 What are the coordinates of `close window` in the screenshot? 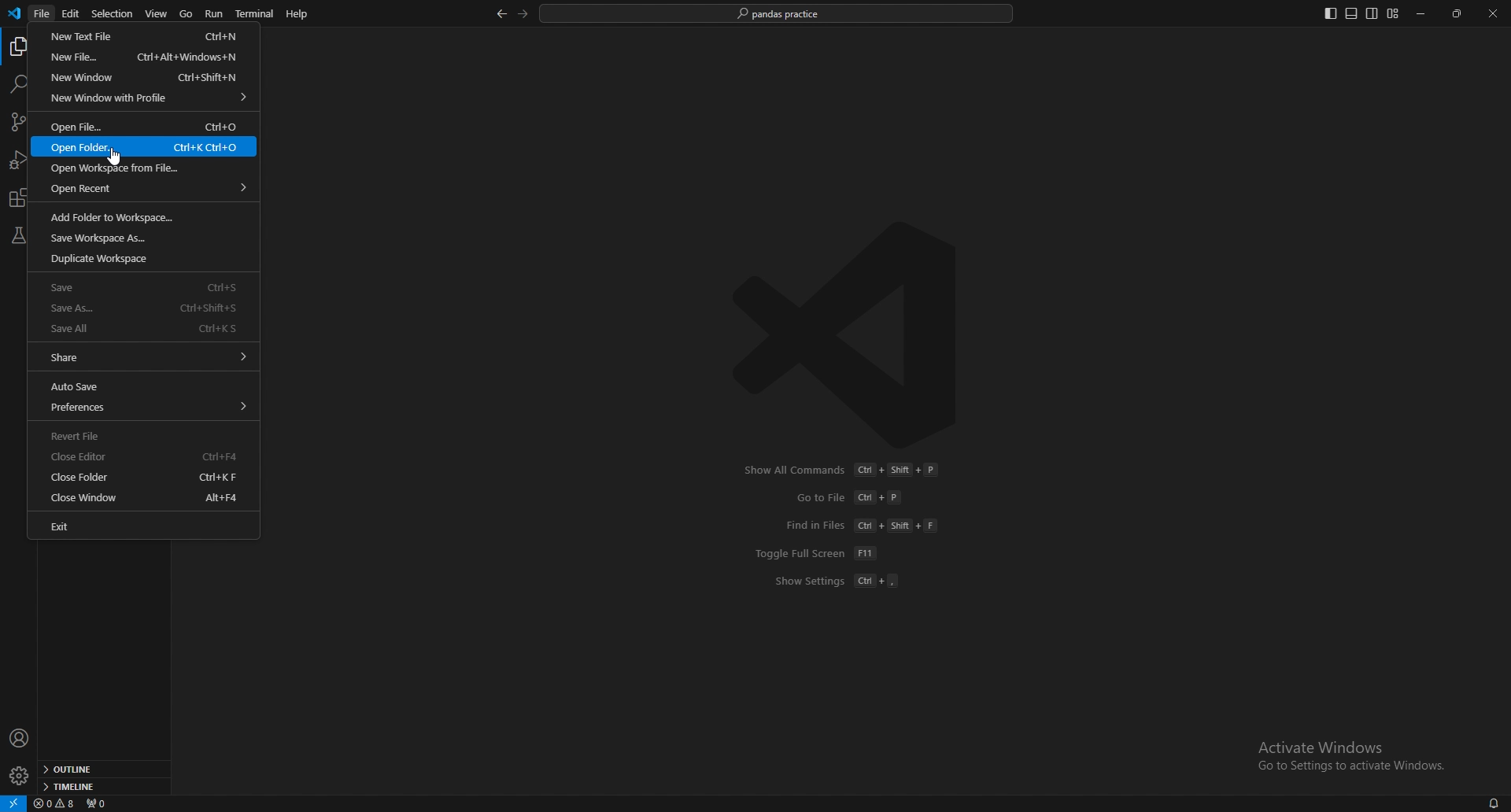 It's located at (145, 497).